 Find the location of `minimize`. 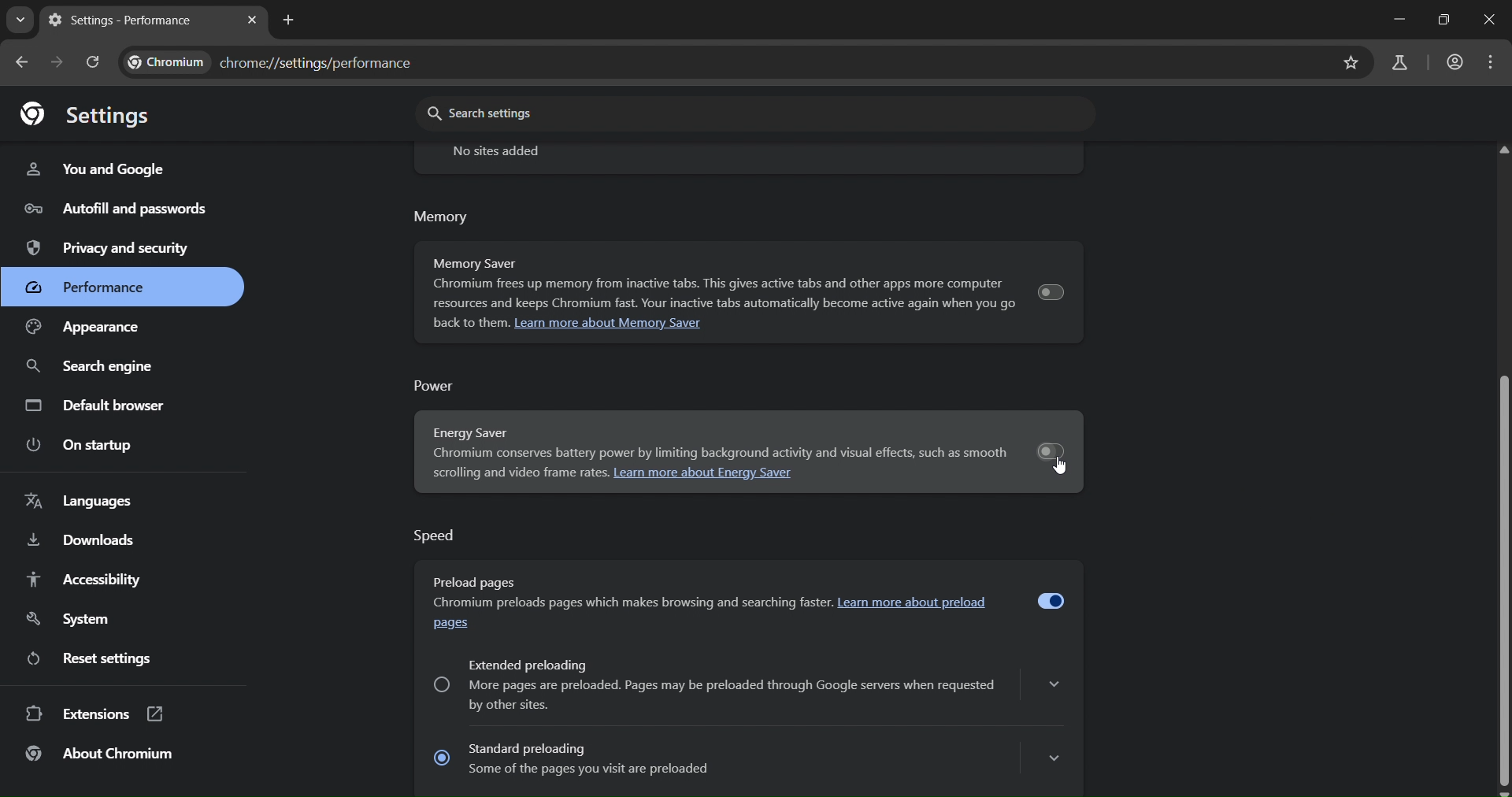

minimize is located at coordinates (1396, 16).